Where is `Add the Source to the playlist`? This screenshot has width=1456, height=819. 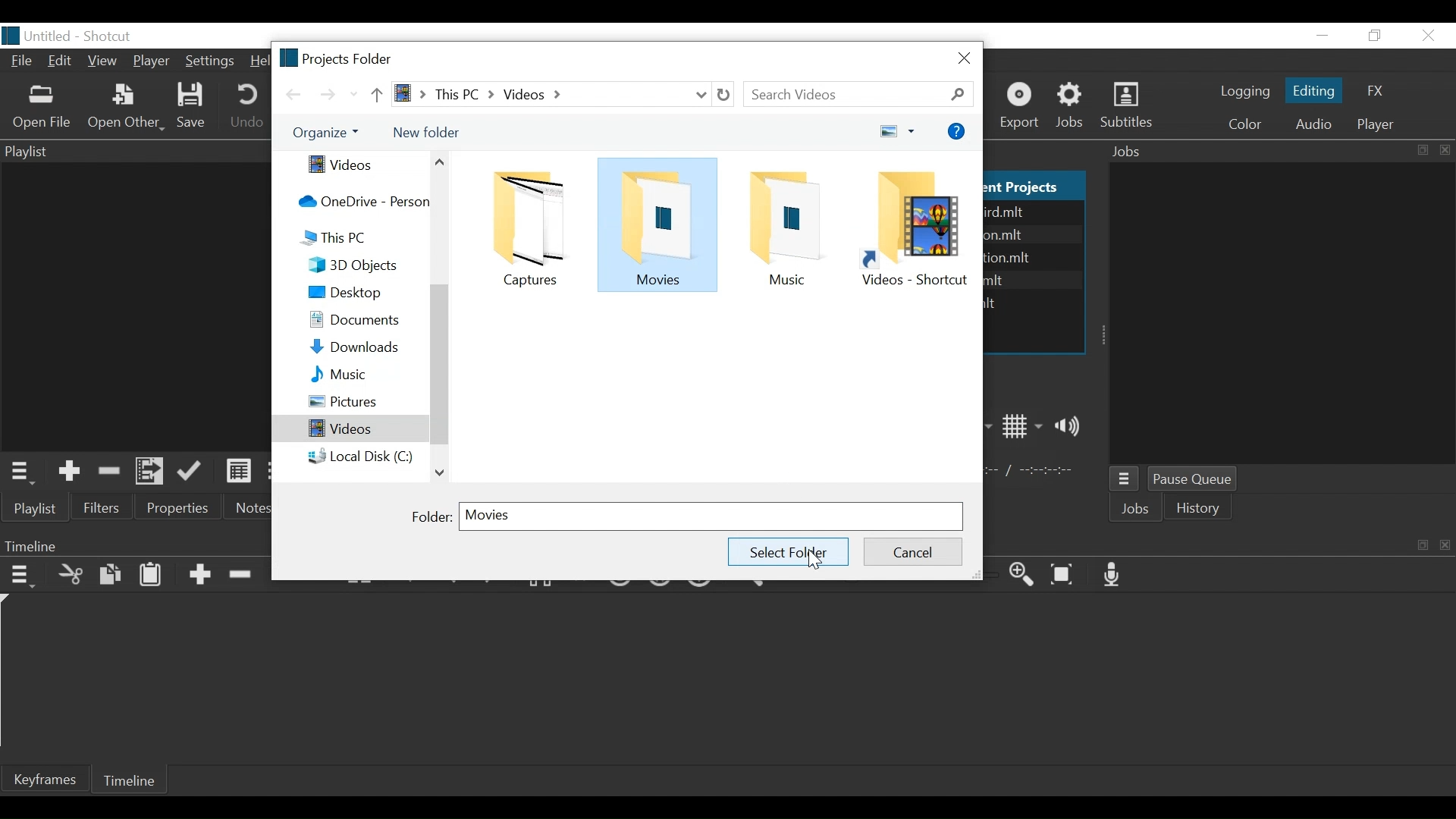 Add the Source to the playlist is located at coordinates (69, 471).